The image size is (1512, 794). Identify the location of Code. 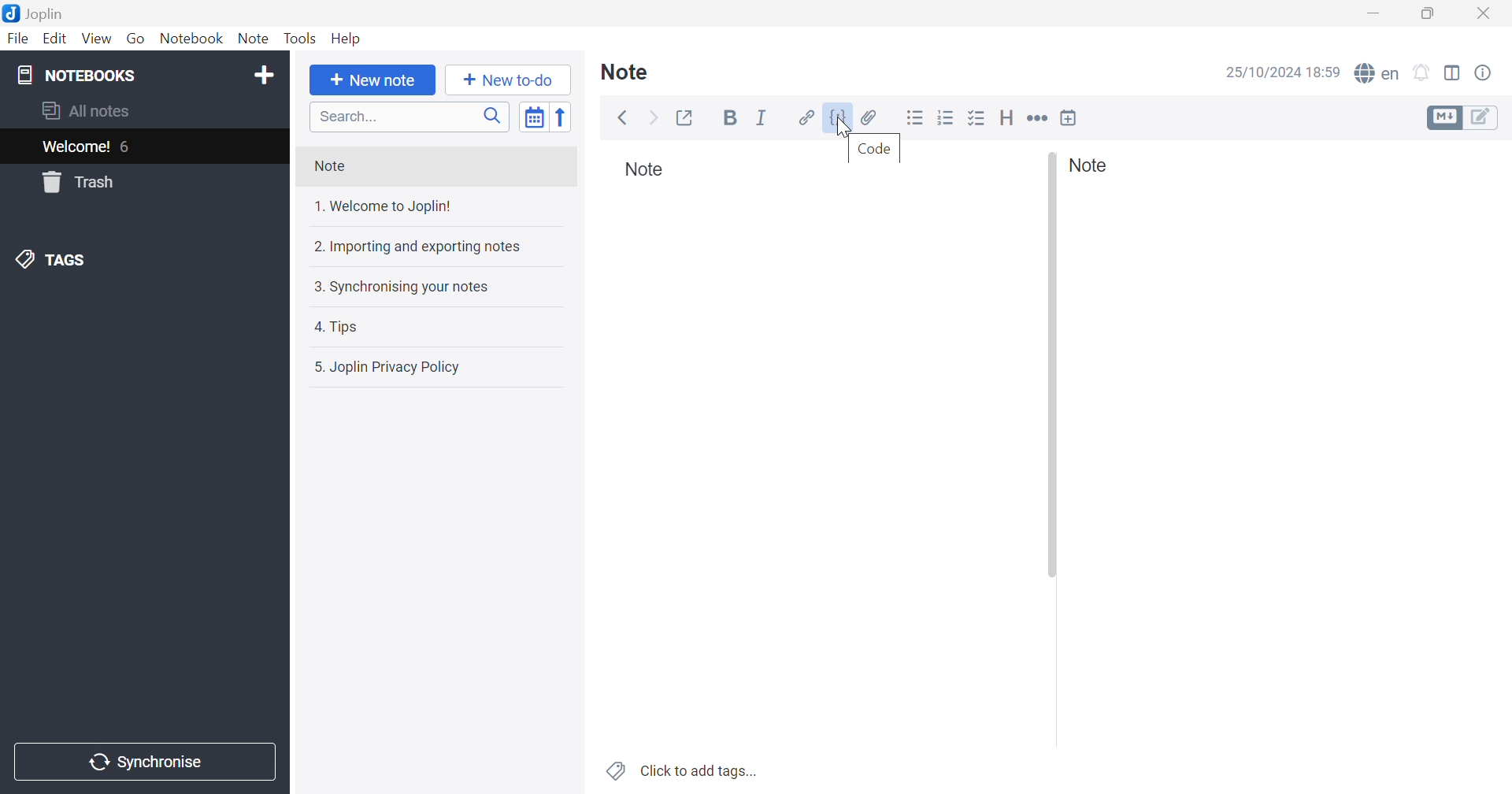
(874, 149).